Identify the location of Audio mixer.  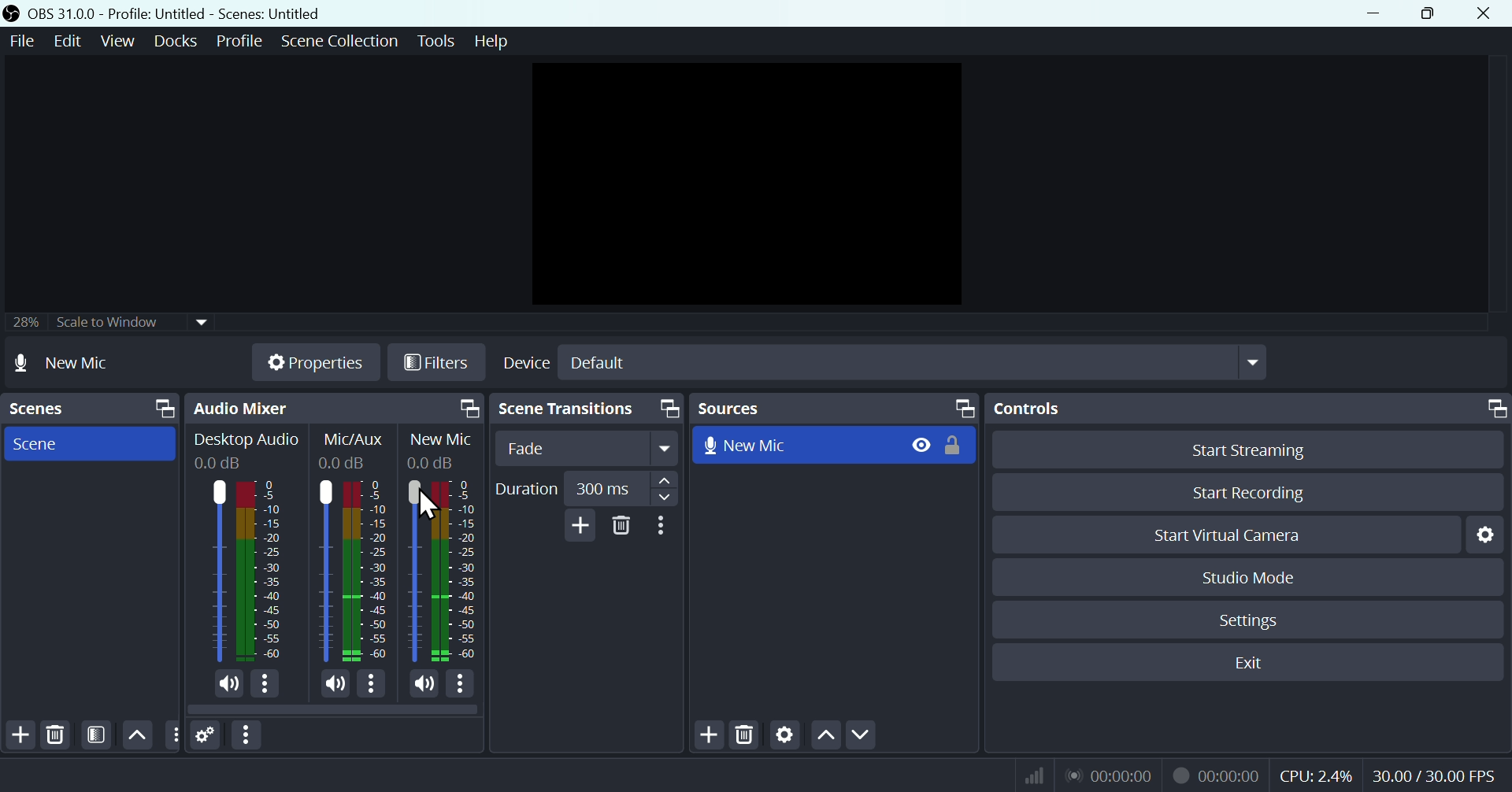
(332, 409).